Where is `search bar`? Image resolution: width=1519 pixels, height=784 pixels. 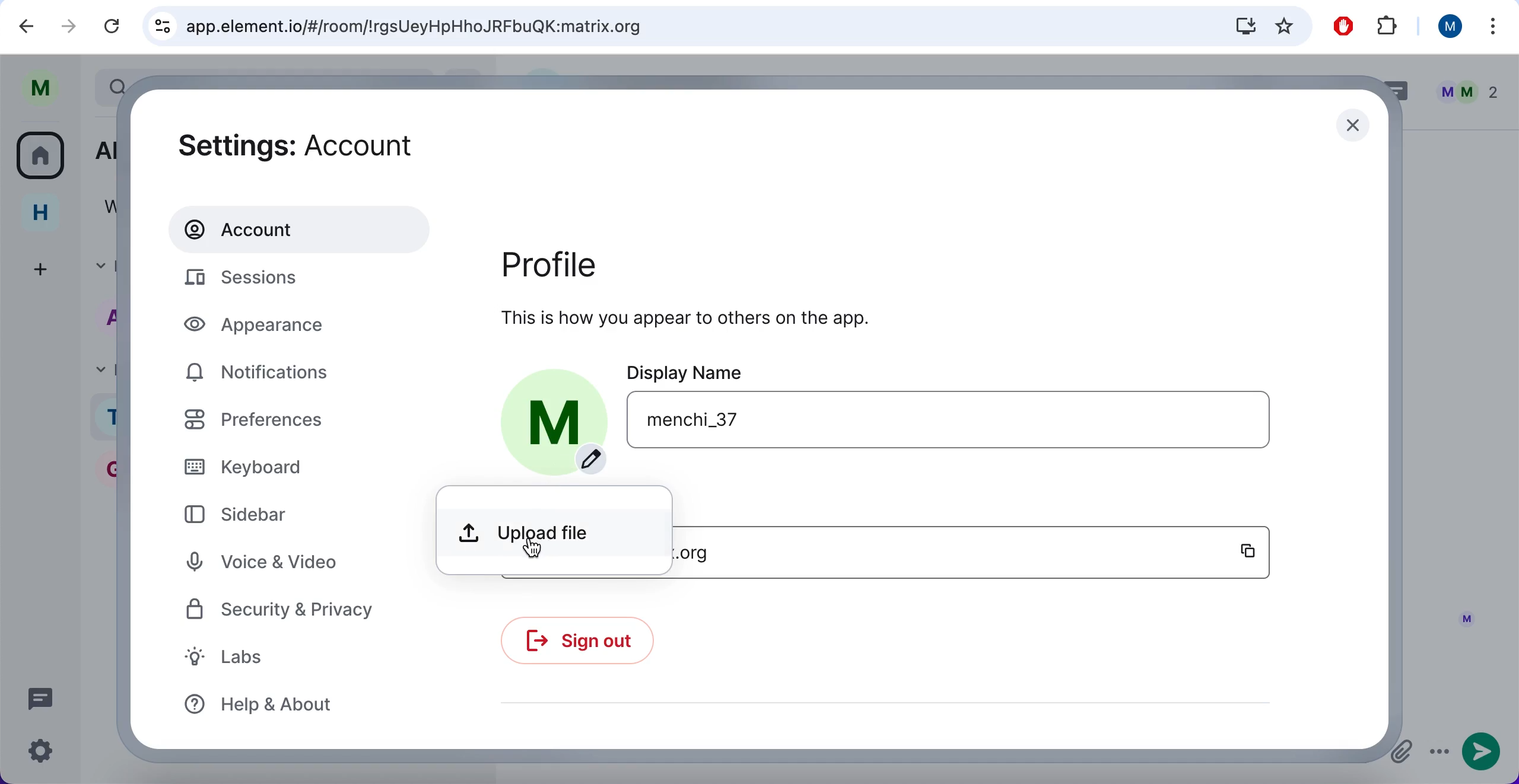 search bar is located at coordinates (724, 26).